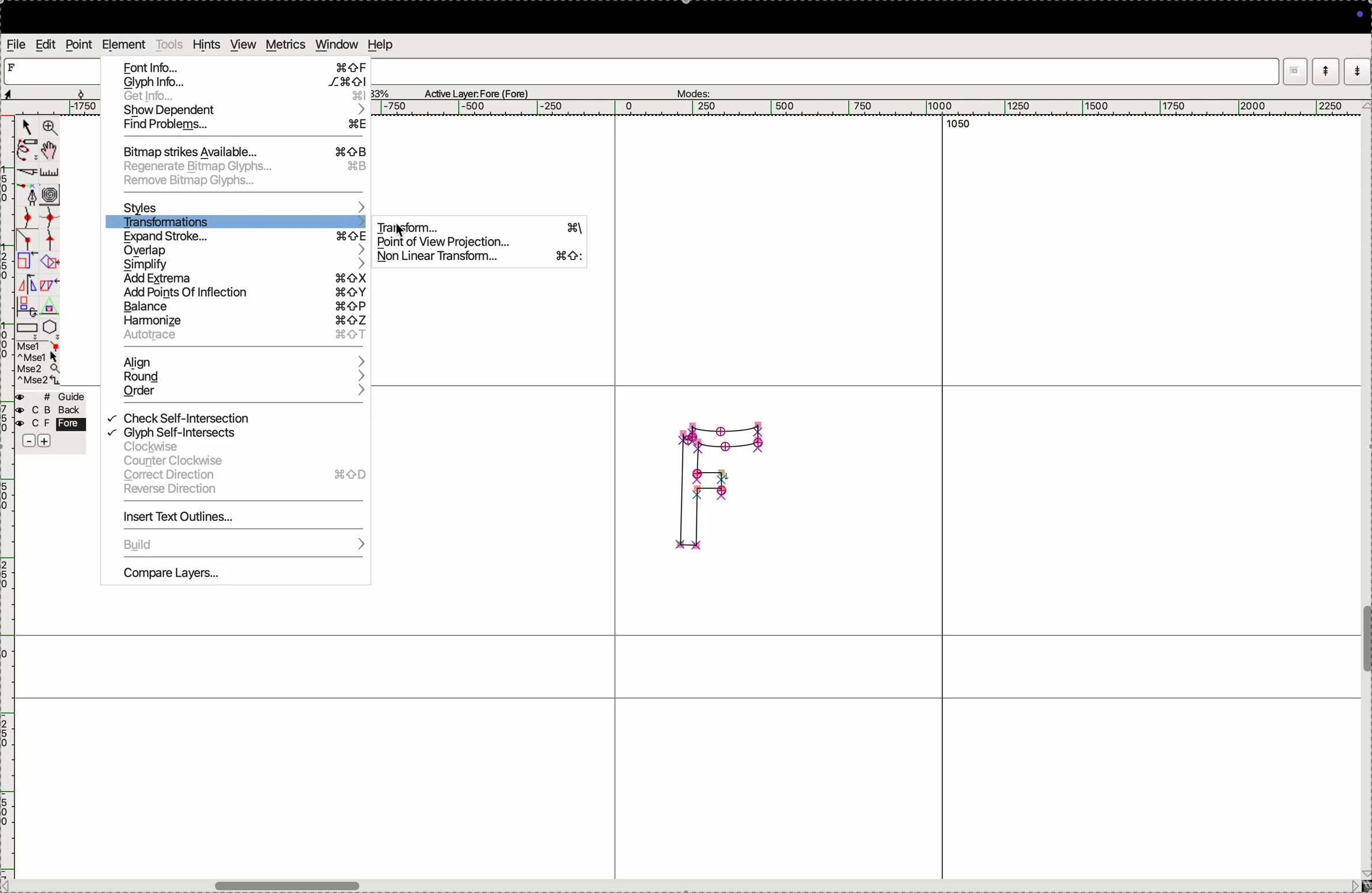  Describe the element at coordinates (1358, 70) in the screenshot. I see `mode down` at that location.